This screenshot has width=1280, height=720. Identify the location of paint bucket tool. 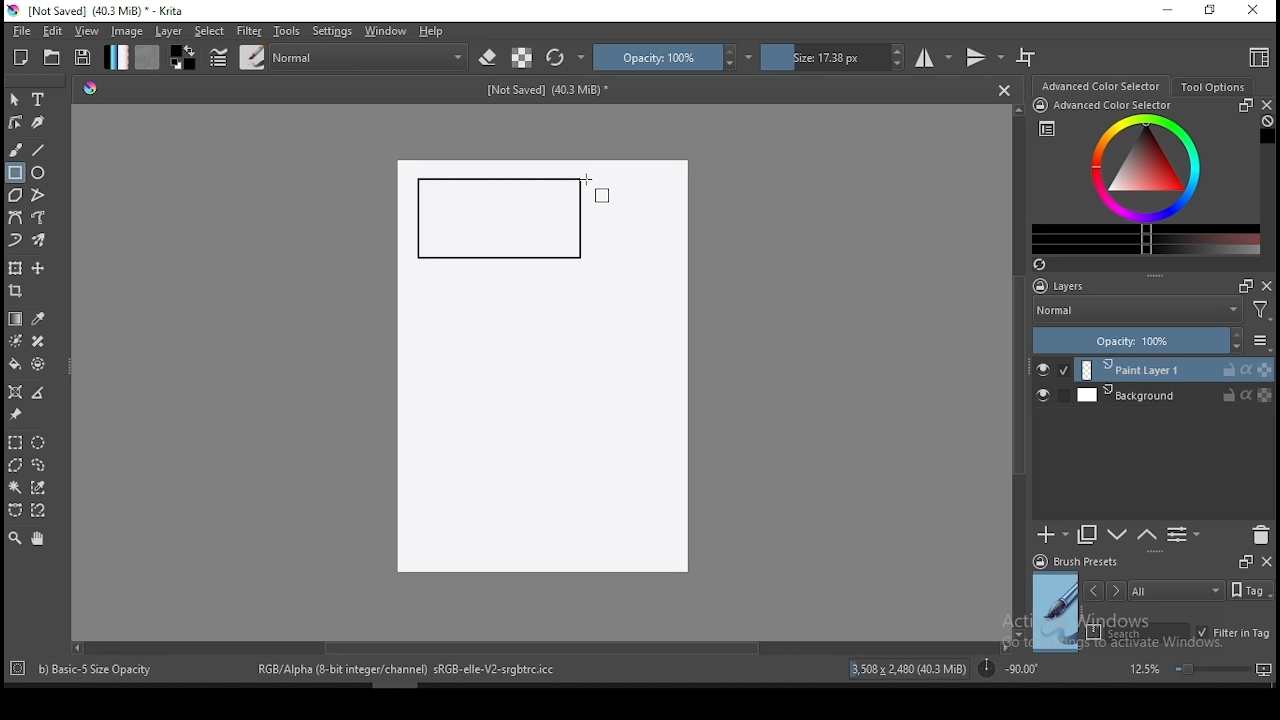
(15, 364).